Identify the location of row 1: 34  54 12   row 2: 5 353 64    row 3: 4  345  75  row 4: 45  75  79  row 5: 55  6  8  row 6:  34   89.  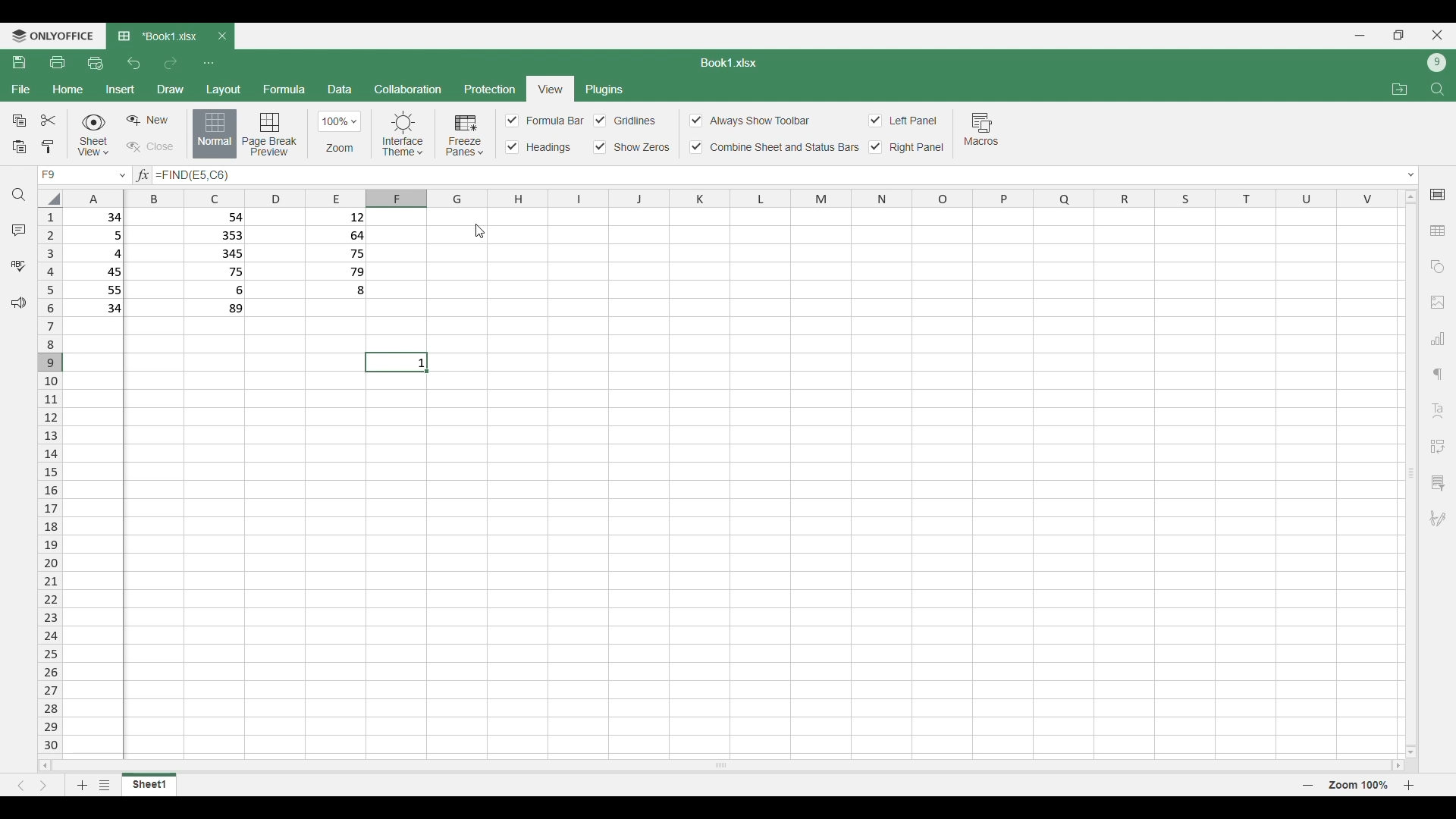
(234, 268).